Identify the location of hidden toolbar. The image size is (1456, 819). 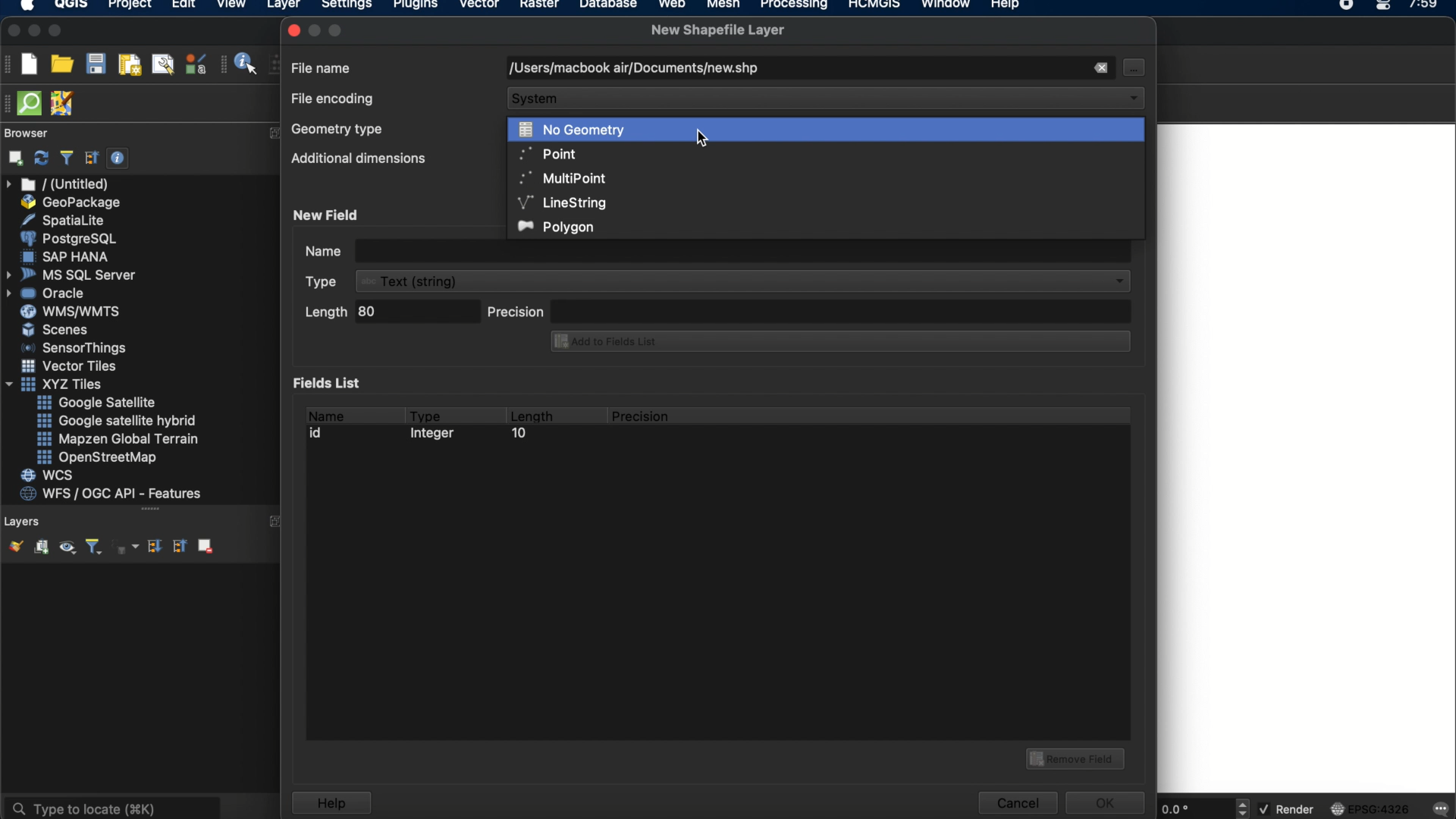
(9, 102).